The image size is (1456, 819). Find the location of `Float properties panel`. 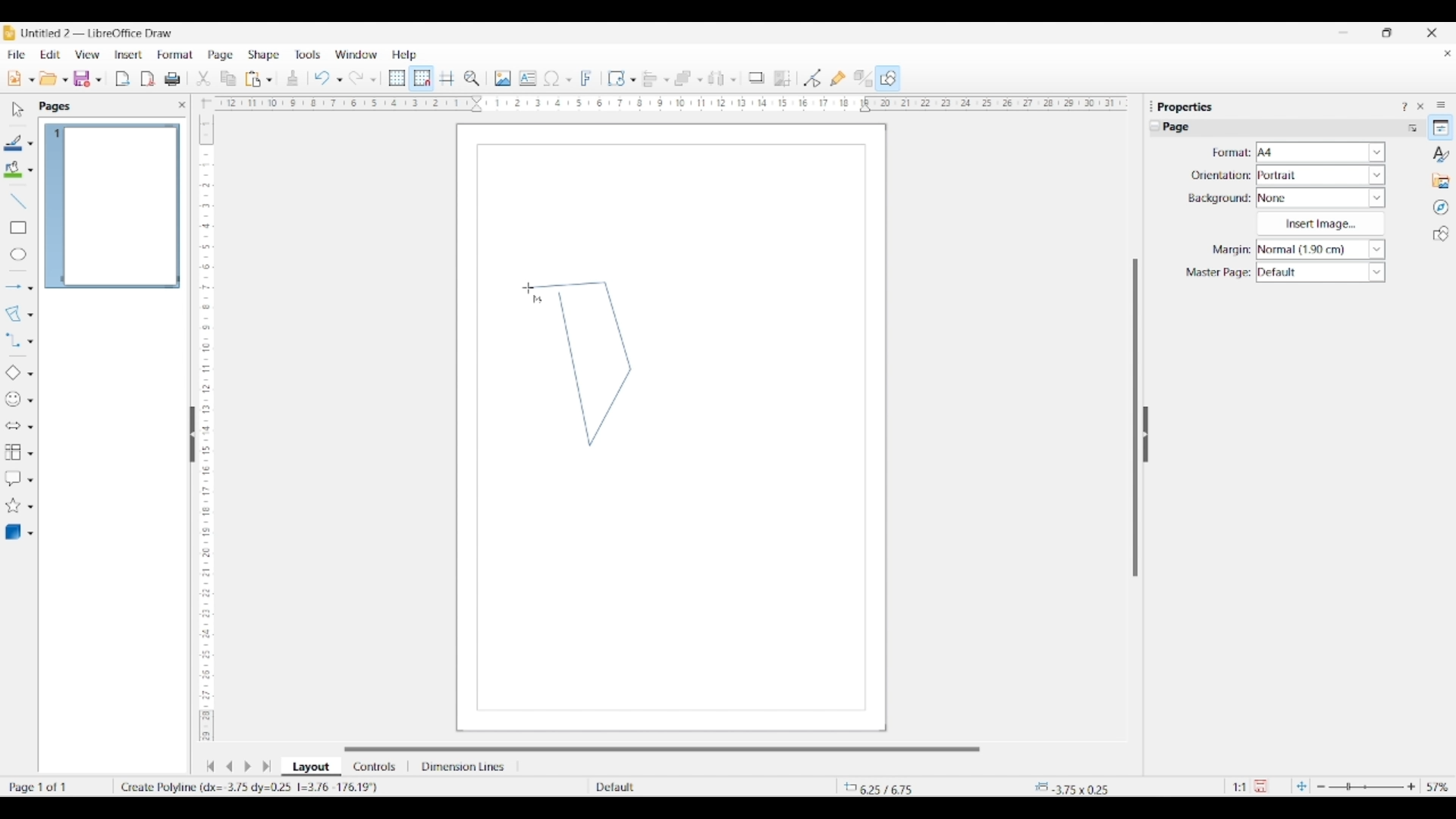

Float properties panel is located at coordinates (1151, 106).